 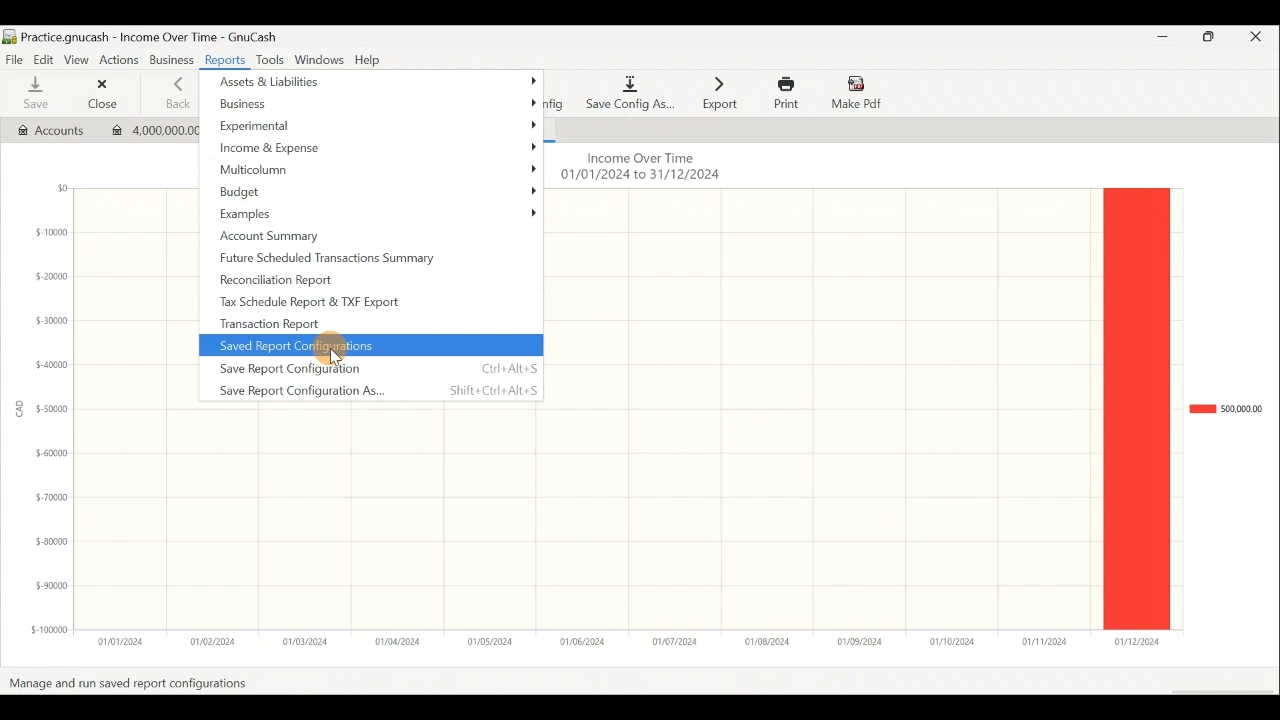 What do you see at coordinates (14, 58) in the screenshot?
I see `File` at bounding box center [14, 58].